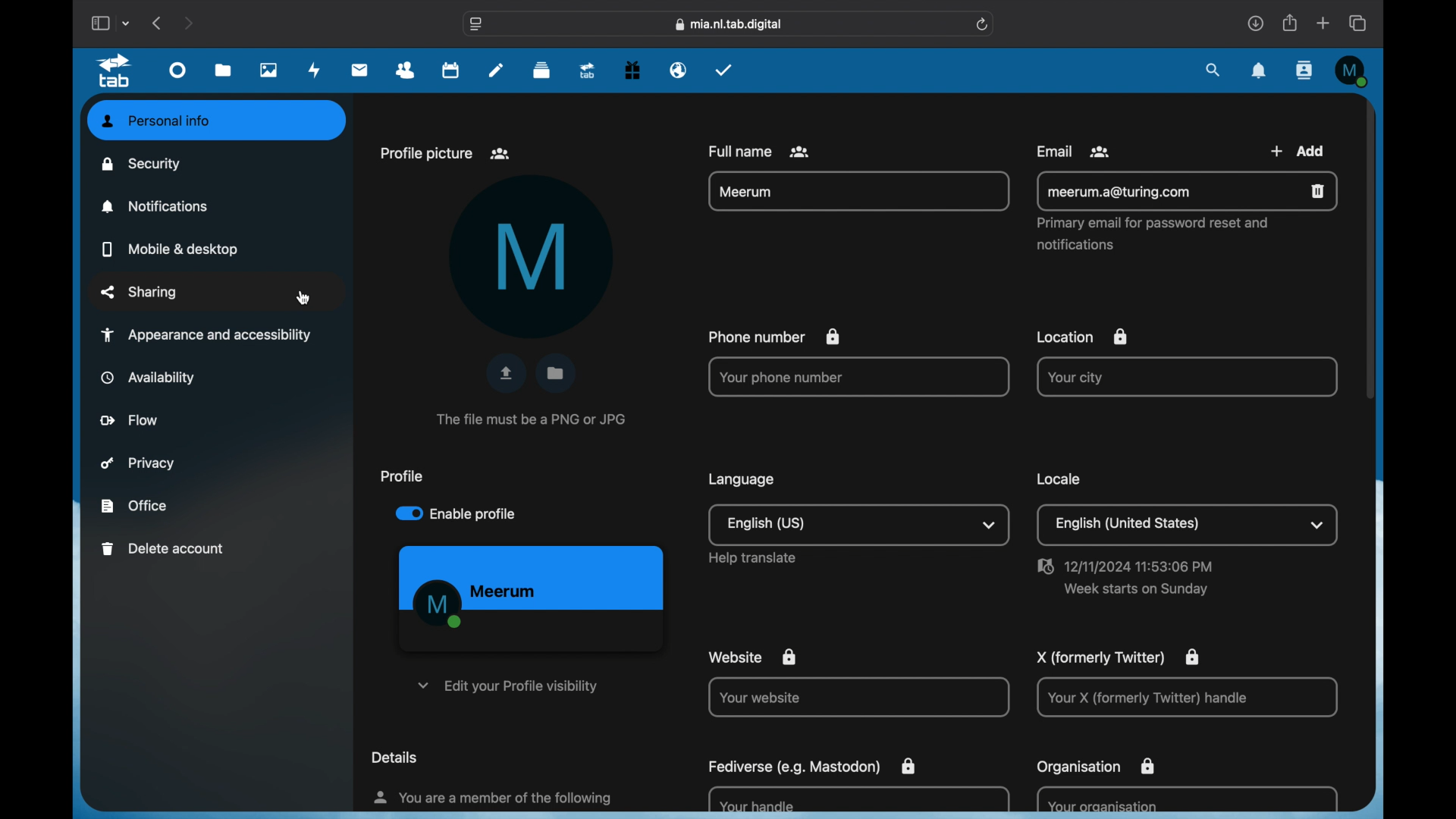 The width and height of the screenshot is (1456, 819). Describe the element at coordinates (1186, 191) in the screenshot. I see `Email` at that location.